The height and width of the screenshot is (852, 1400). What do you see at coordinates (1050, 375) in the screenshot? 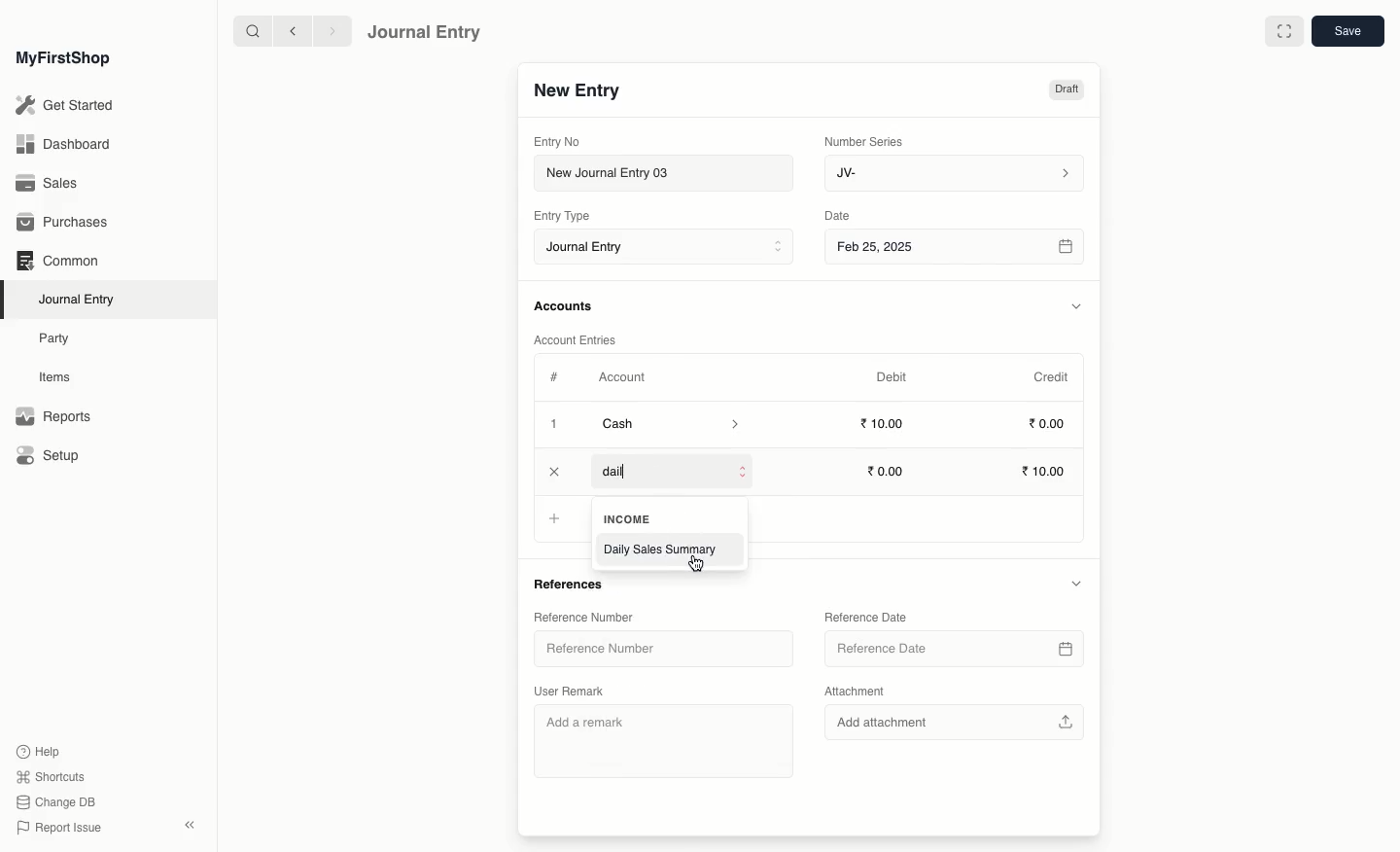
I see `Credit` at bounding box center [1050, 375].